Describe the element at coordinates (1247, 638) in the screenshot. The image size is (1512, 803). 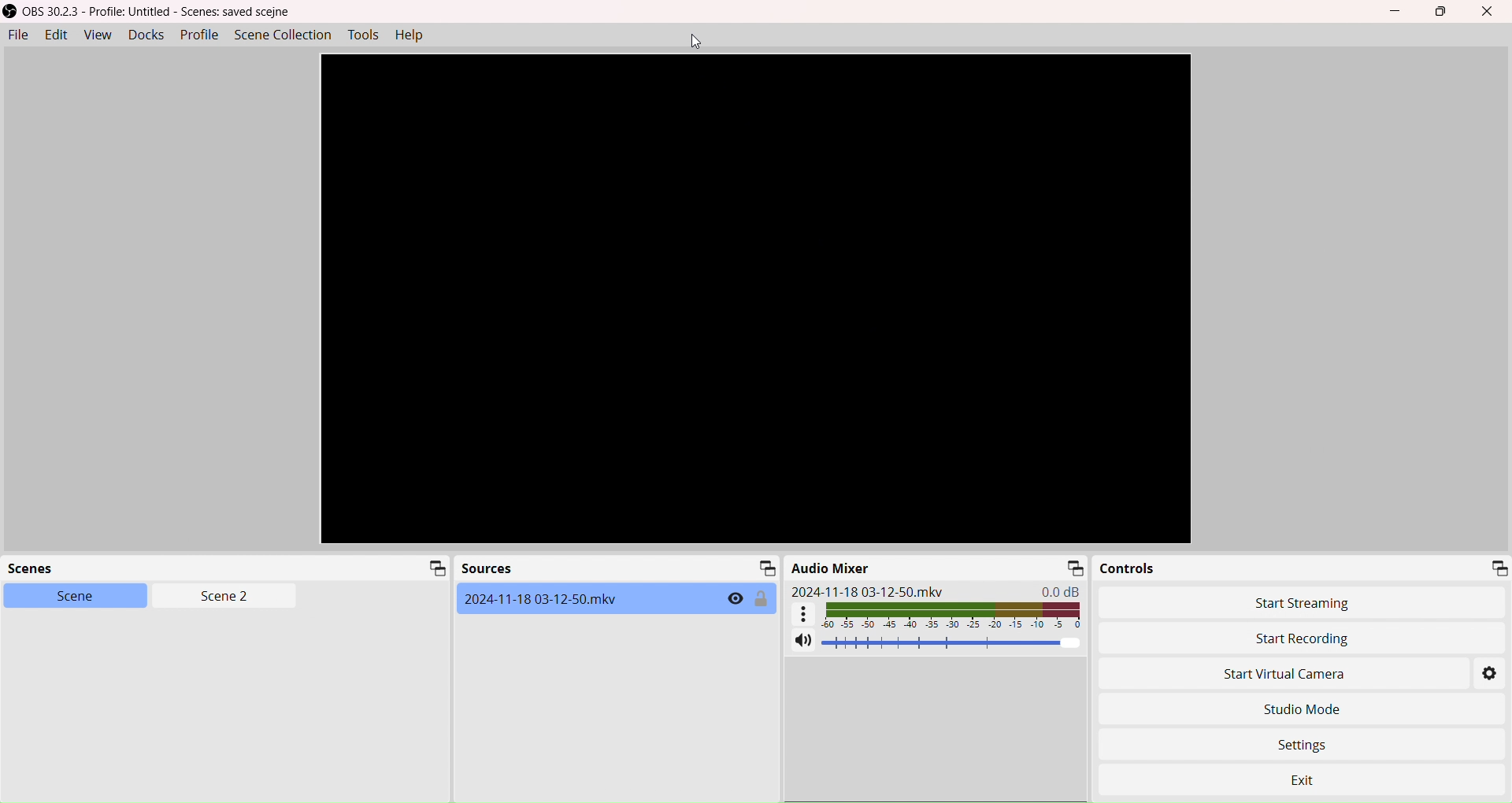
I see `Start Recording` at that location.